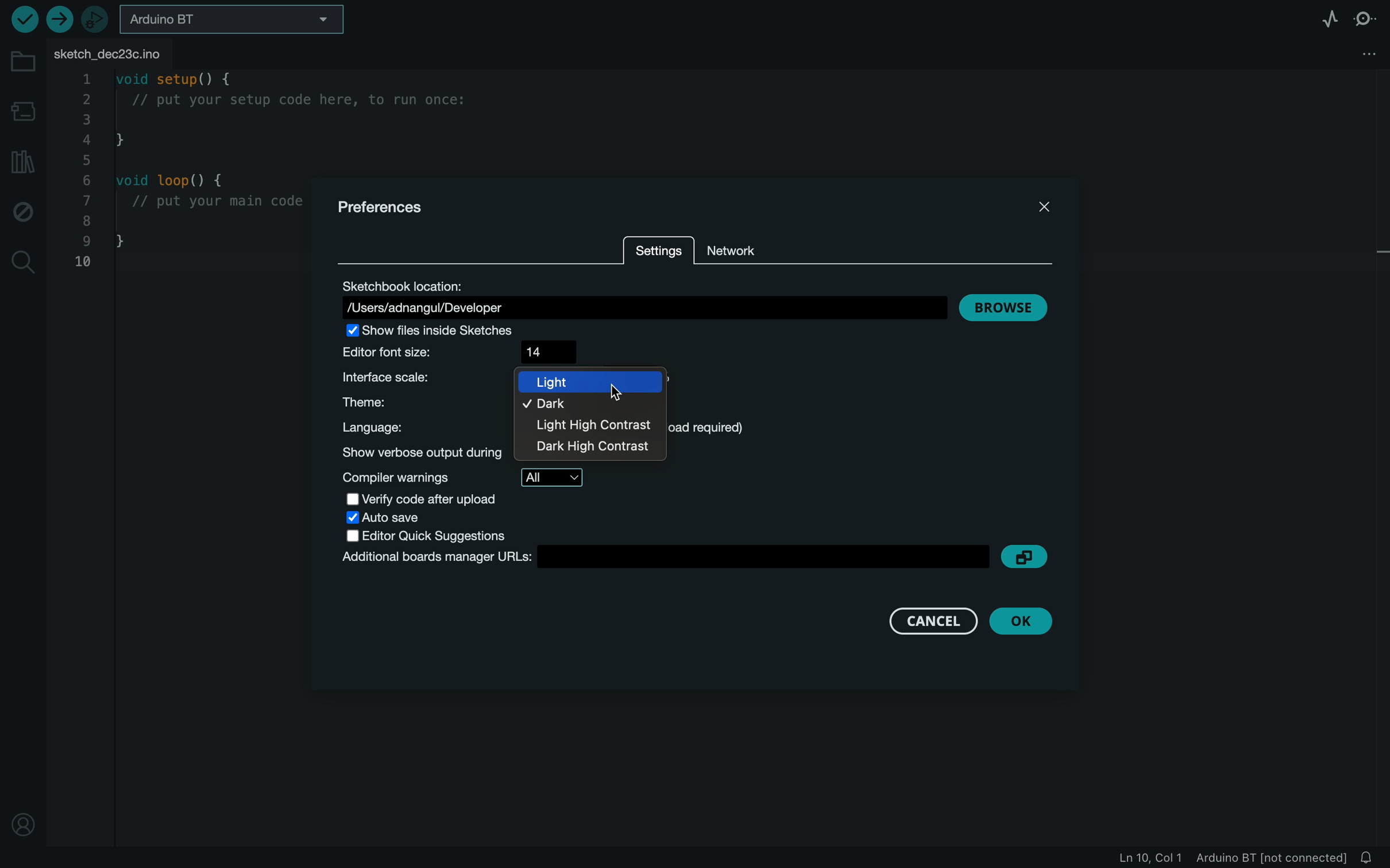 This screenshot has width=1390, height=868. I want to click on light, so click(590, 381).